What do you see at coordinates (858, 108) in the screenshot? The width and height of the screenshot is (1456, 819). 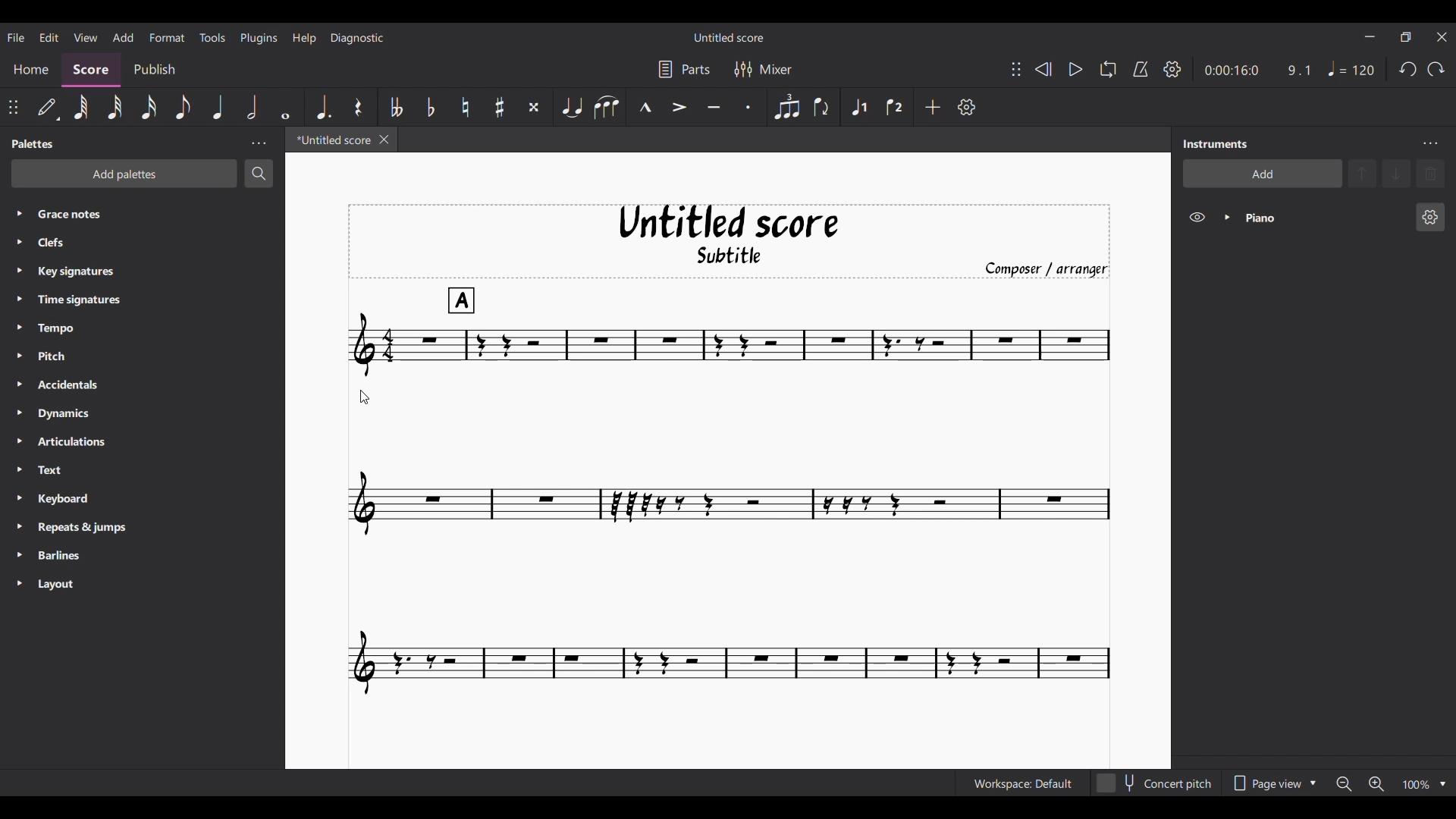 I see `Voice 1` at bounding box center [858, 108].